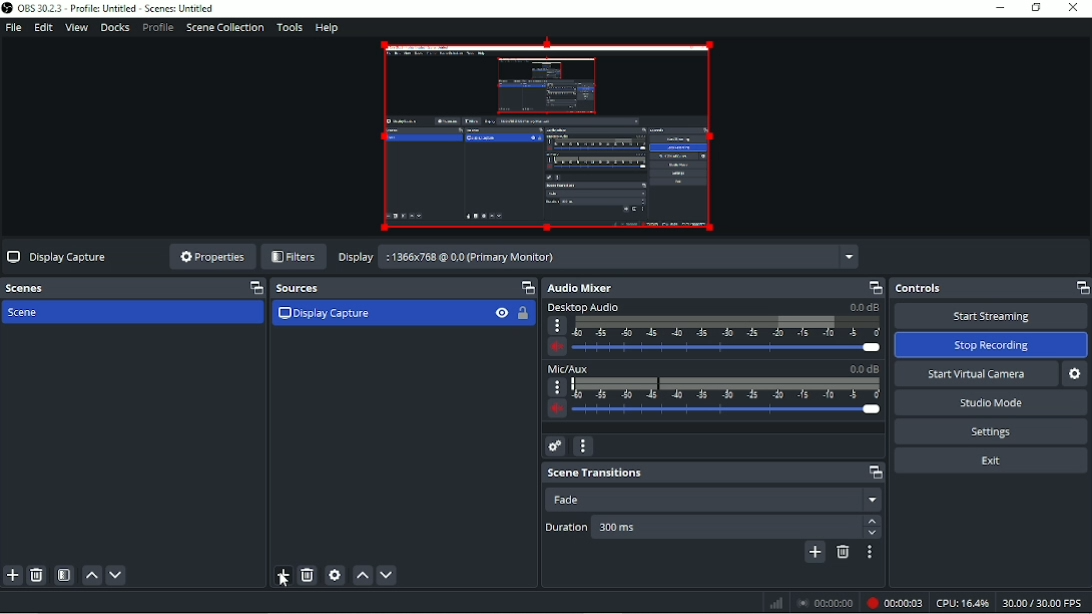  Describe the element at coordinates (1033, 8) in the screenshot. I see `Restore down` at that location.